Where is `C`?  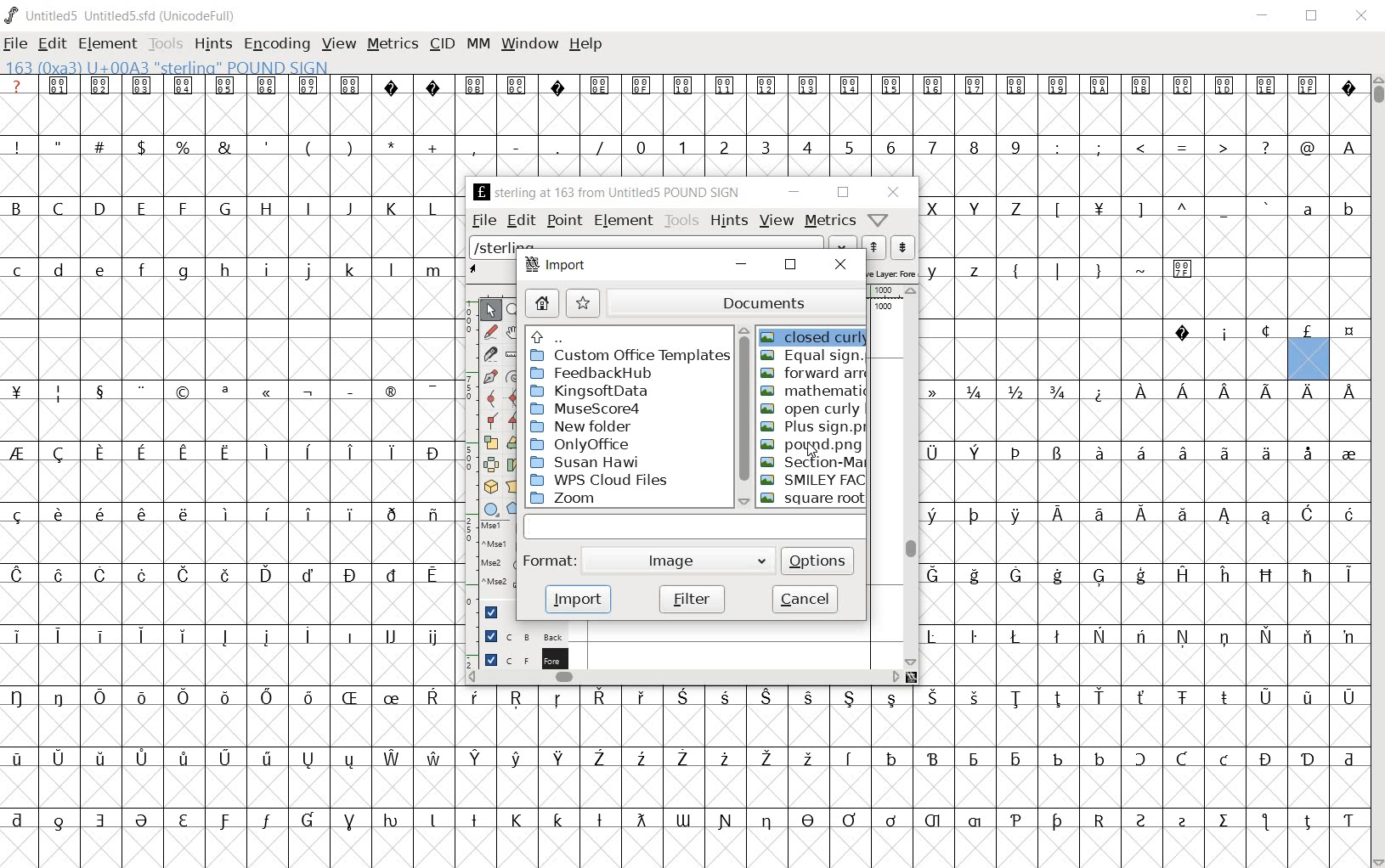
C is located at coordinates (60, 210).